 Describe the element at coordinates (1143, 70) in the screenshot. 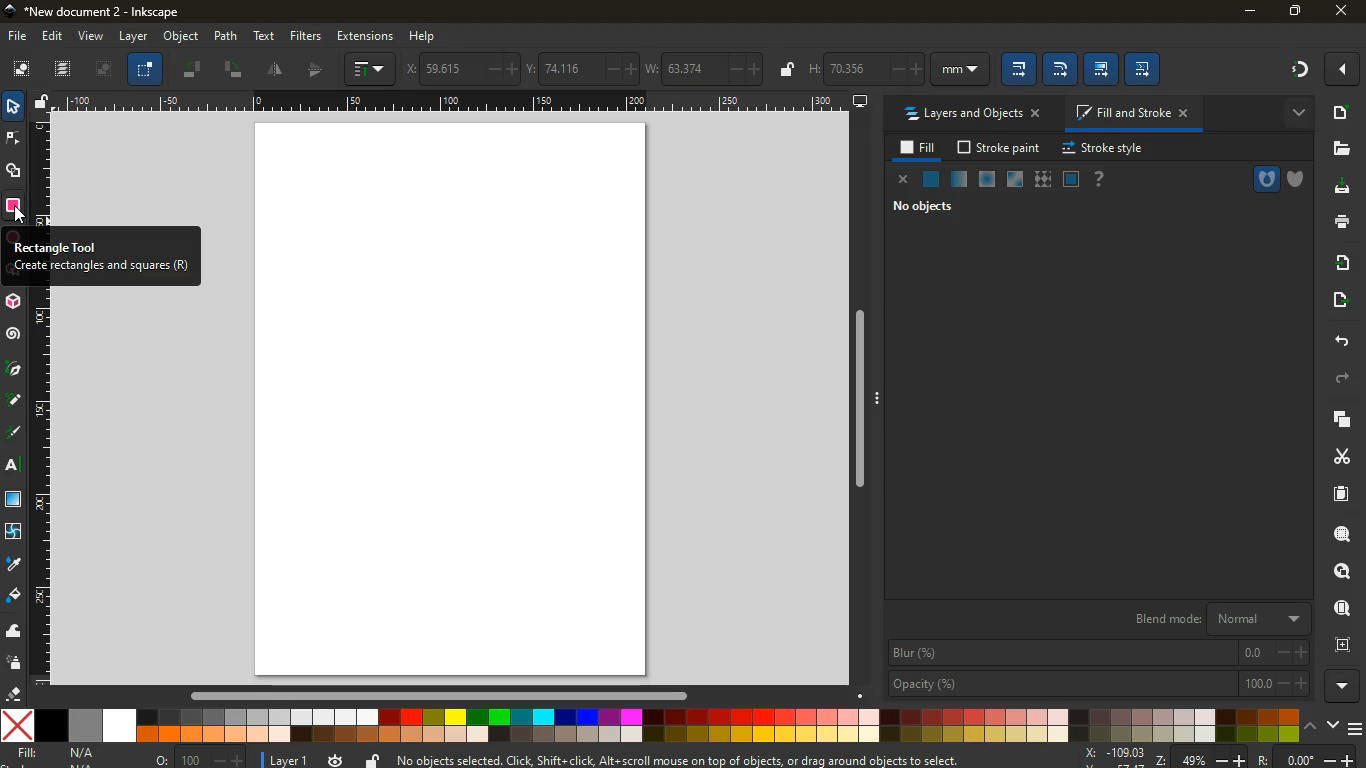

I see `edit` at that location.